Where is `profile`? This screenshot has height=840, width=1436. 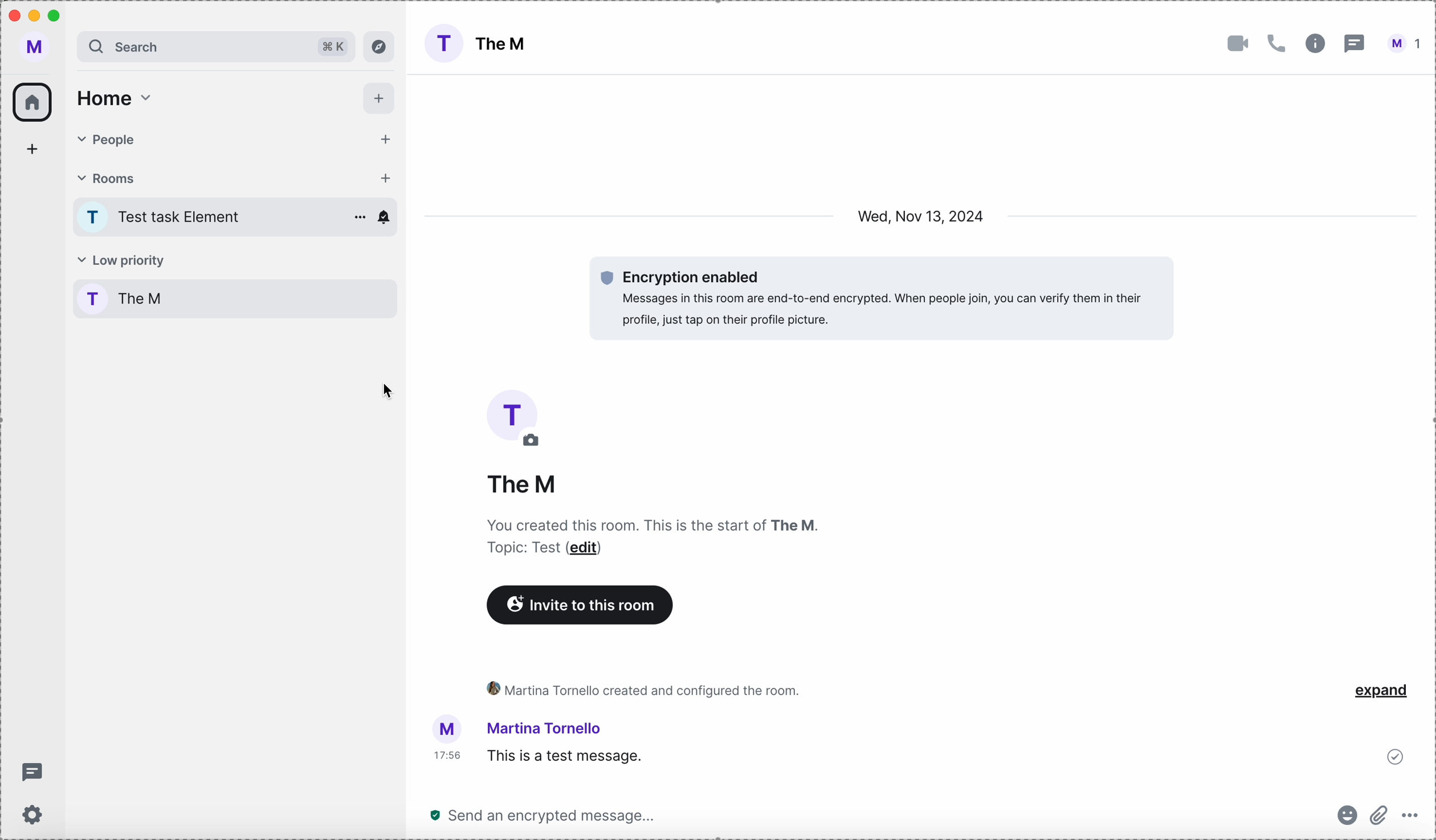
profile is located at coordinates (95, 217).